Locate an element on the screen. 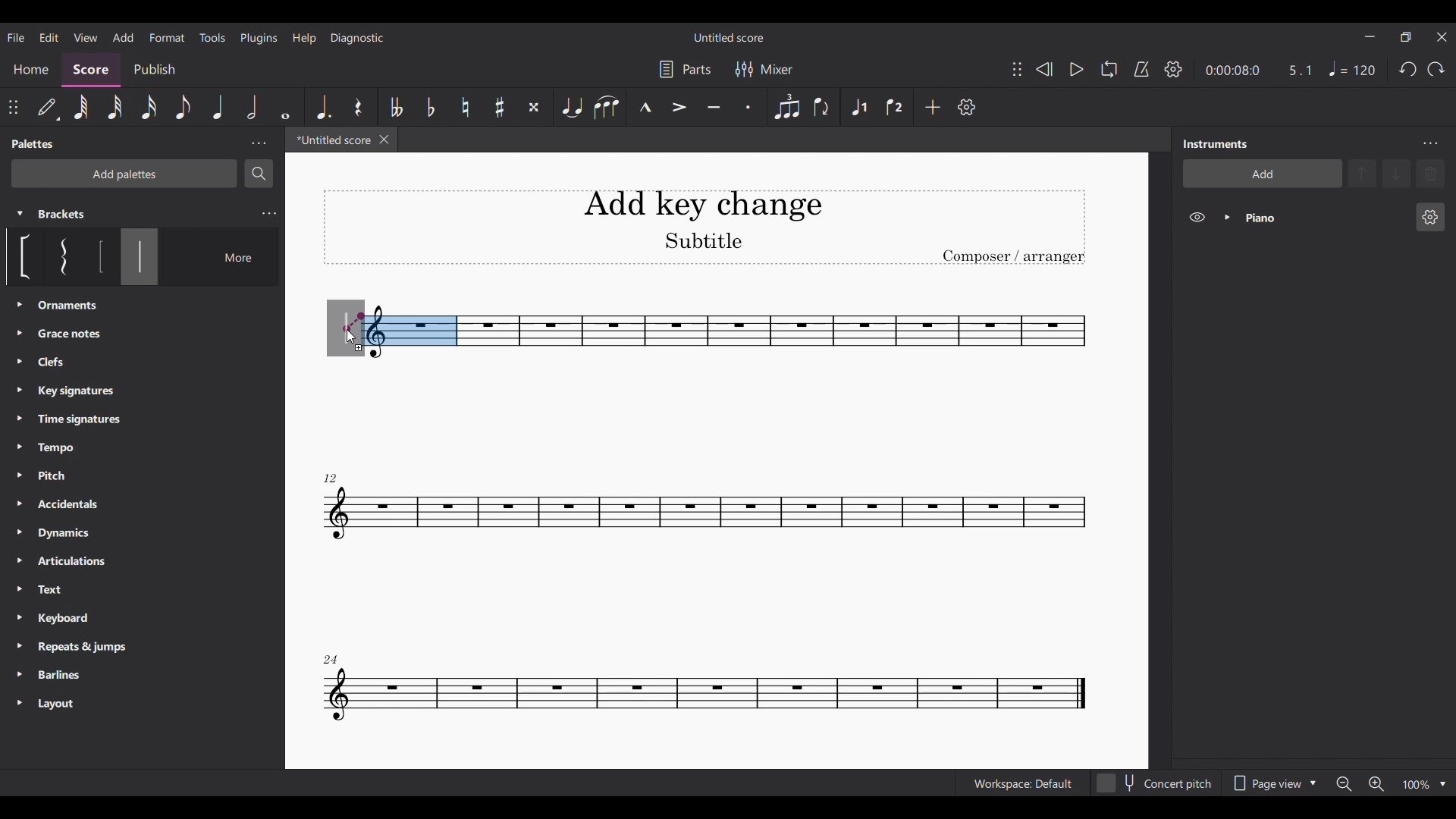 This screenshot has width=1456, height=819. Quarter note is located at coordinates (220, 108).